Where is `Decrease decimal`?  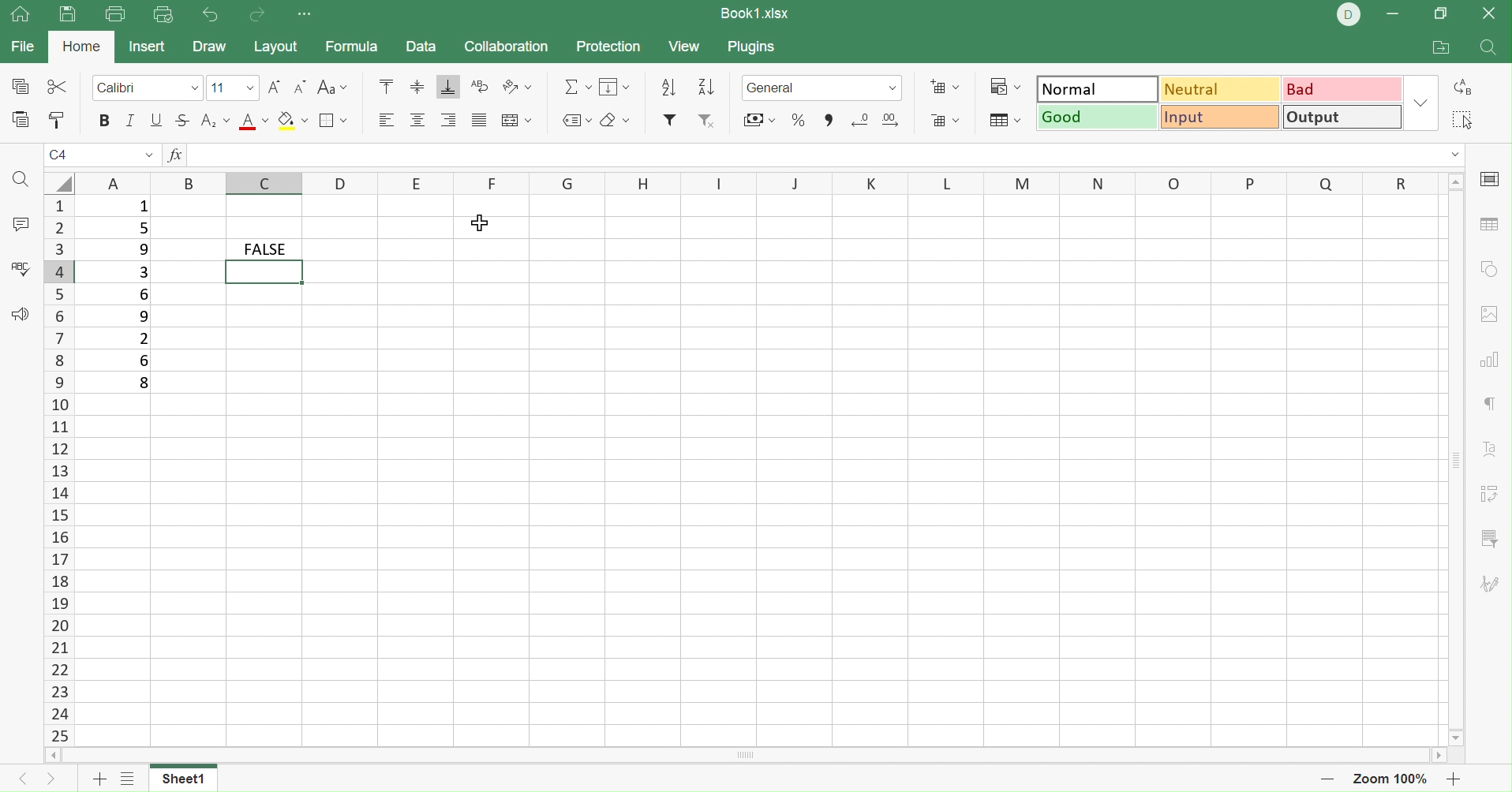 Decrease decimal is located at coordinates (856, 121).